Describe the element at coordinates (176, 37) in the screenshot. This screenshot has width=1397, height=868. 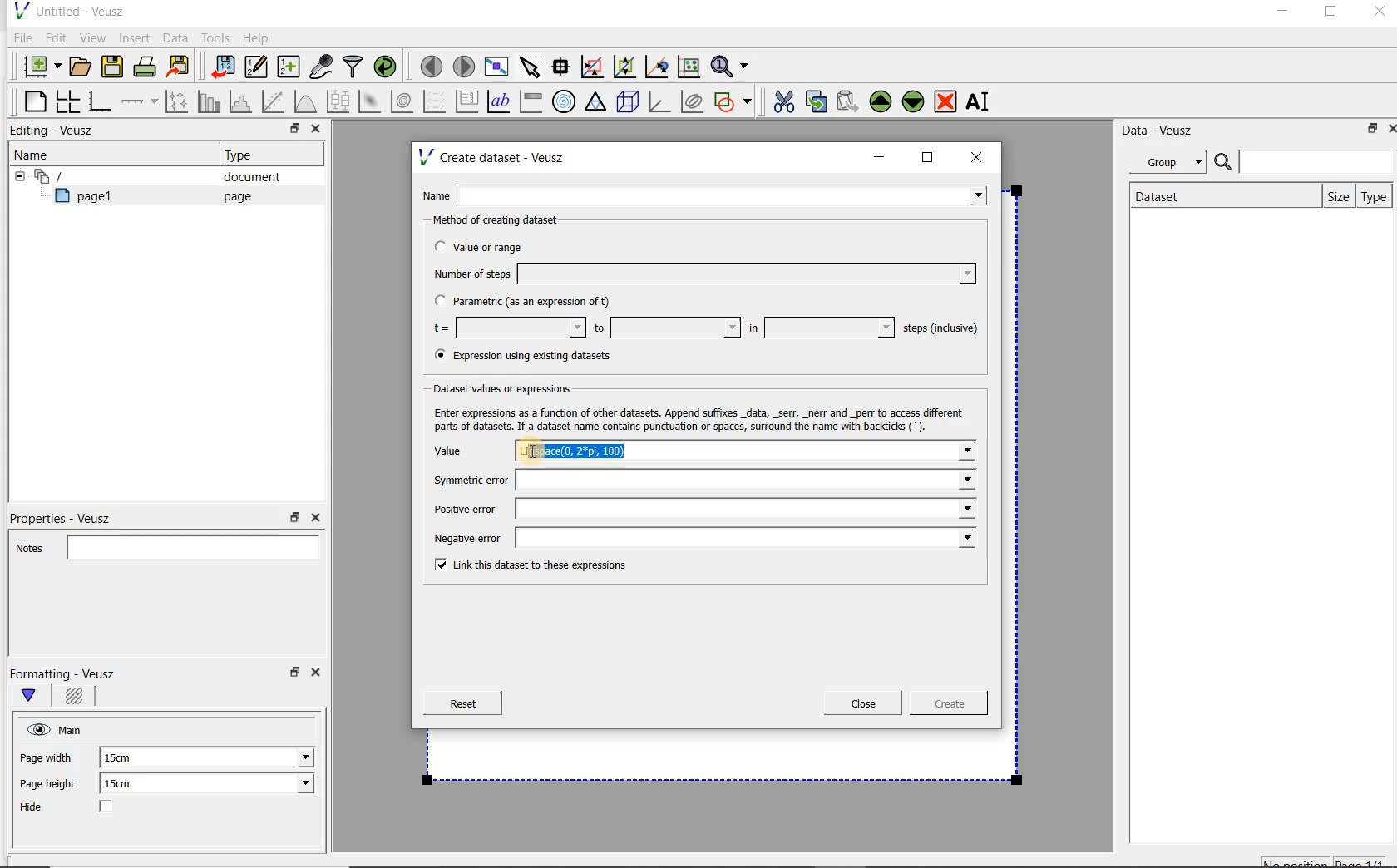
I see `Data` at that location.